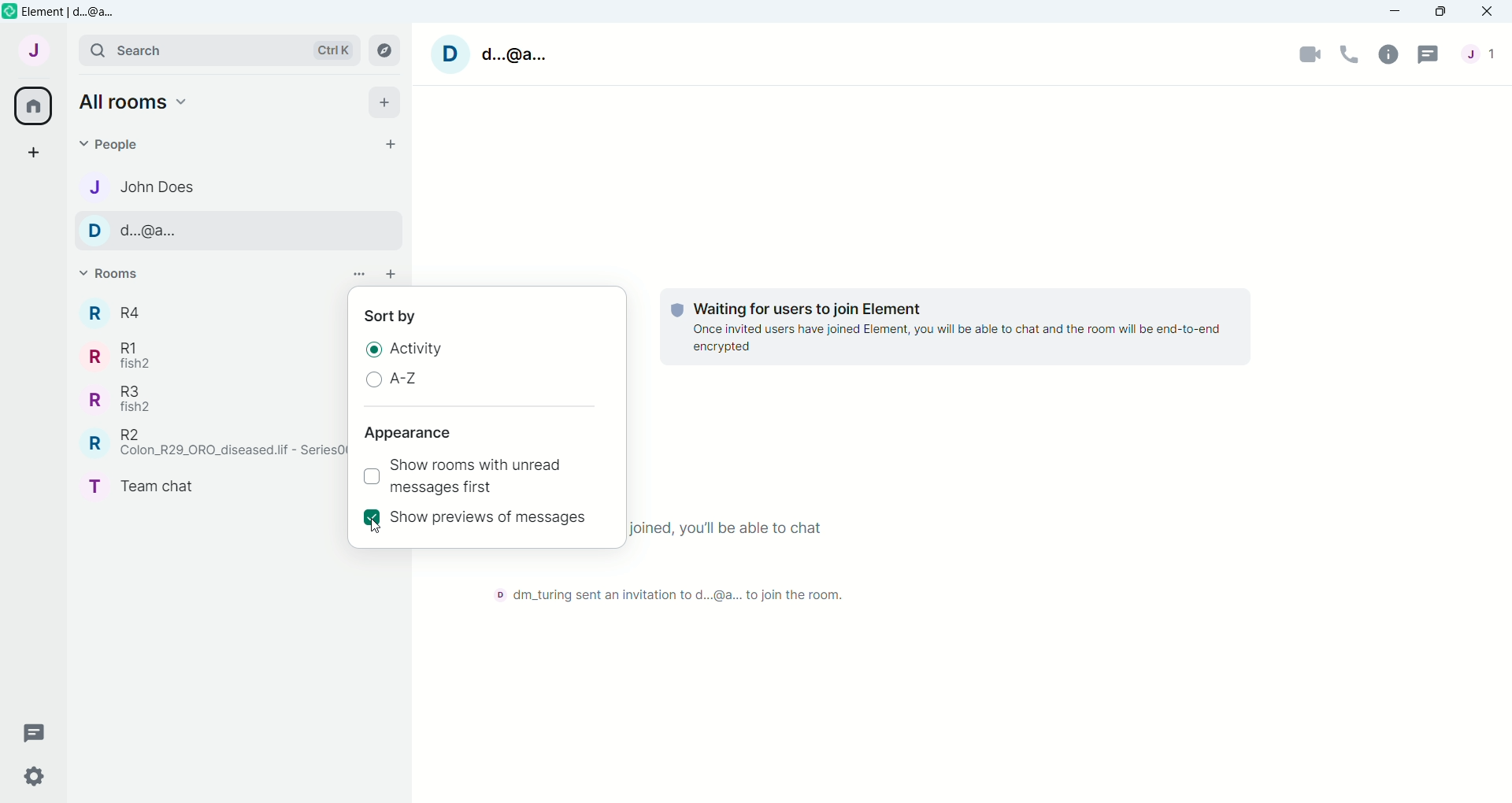  I want to click on Room R1, so click(117, 354).